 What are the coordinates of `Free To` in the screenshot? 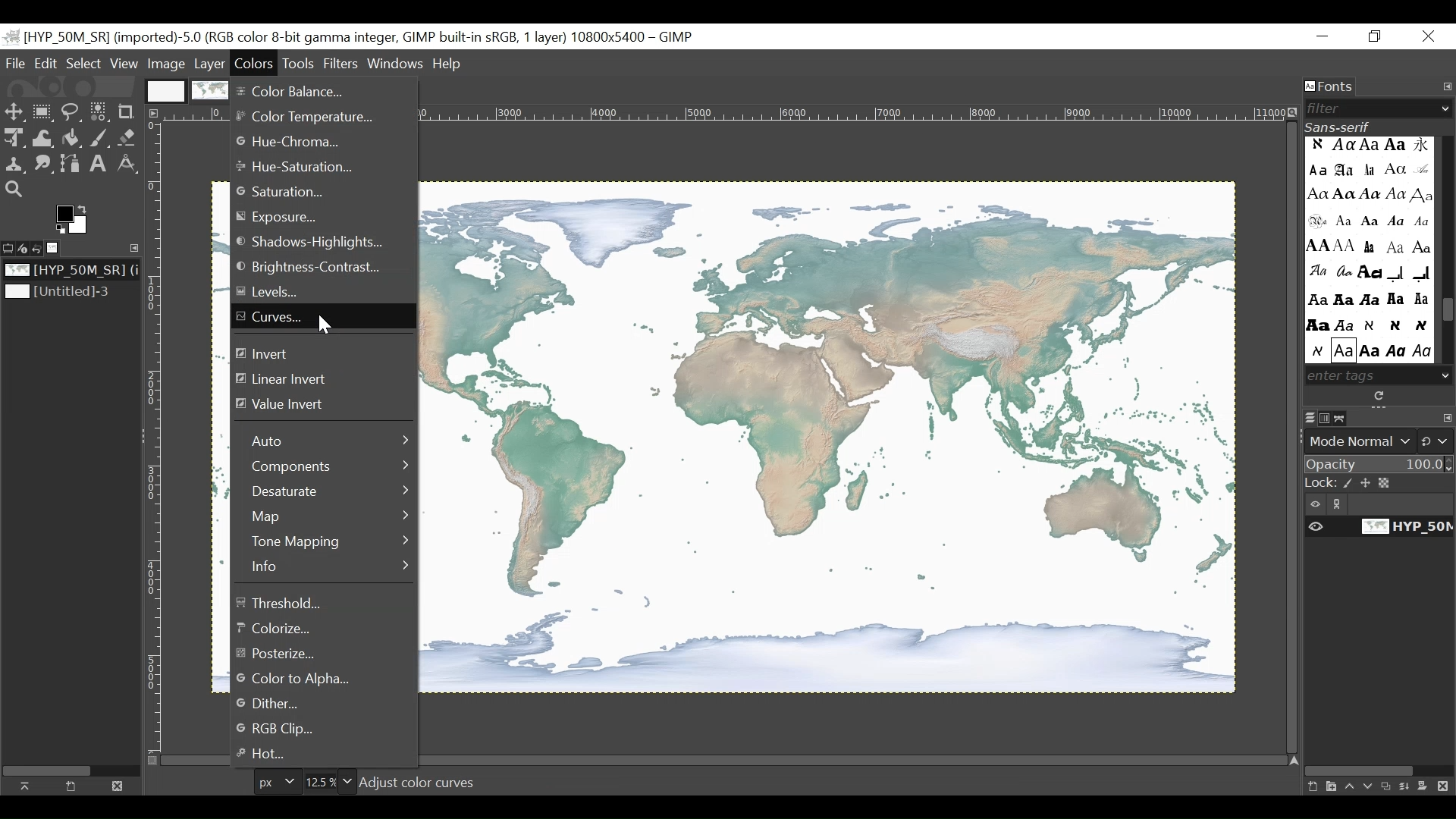 It's located at (71, 115).